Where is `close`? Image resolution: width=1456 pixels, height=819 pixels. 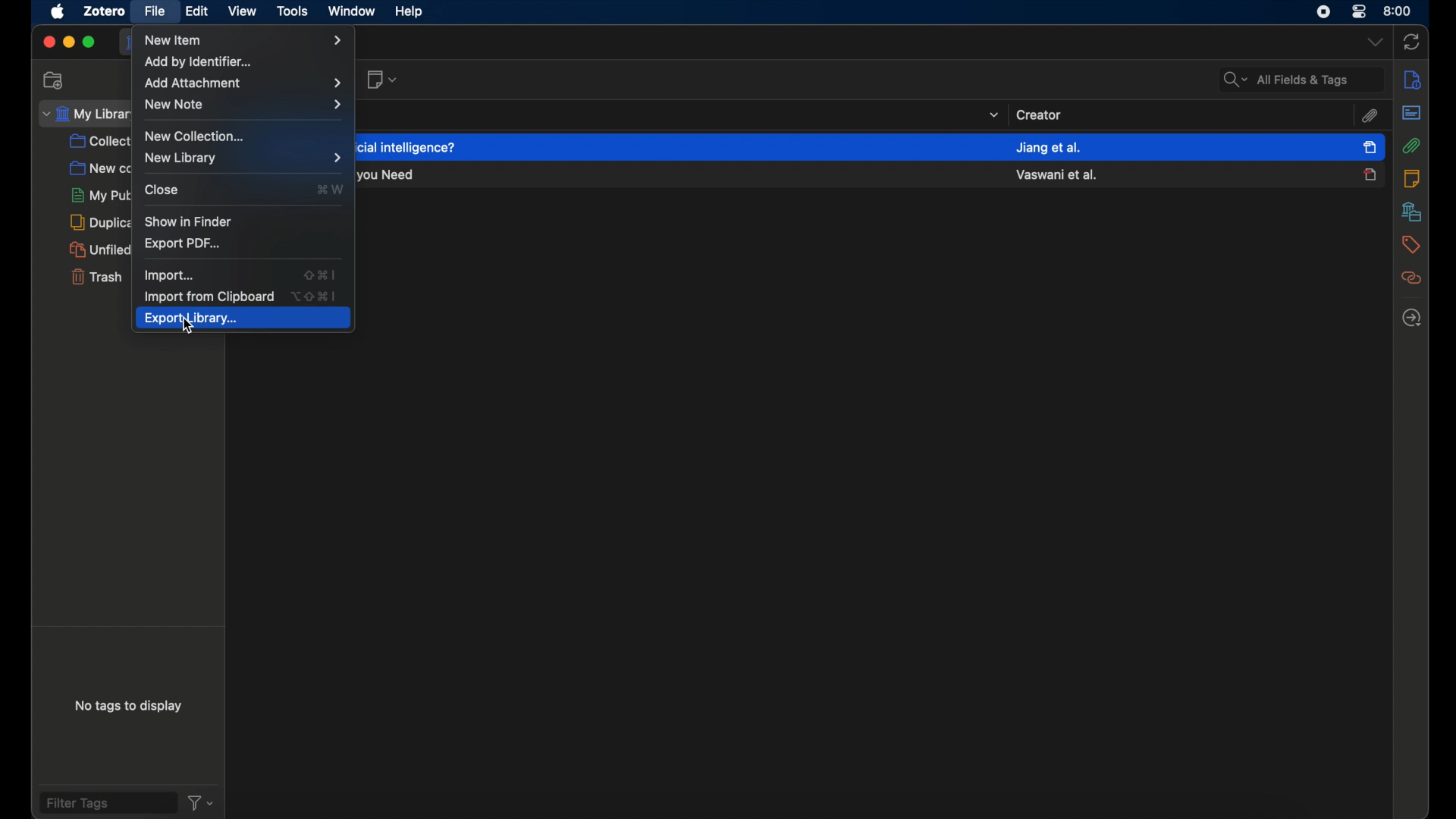
close is located at coordinates (162, 190).